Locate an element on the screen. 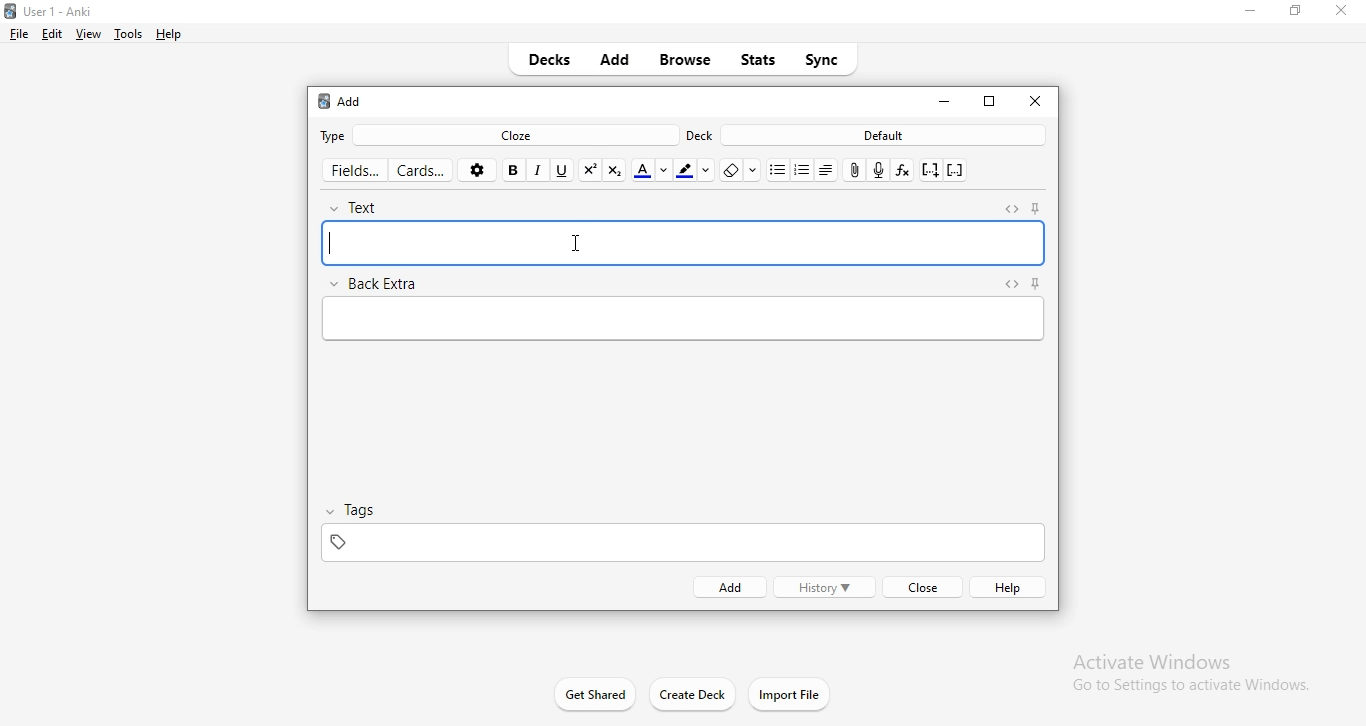 The height and width of the screenshot is (726, 1366). view is located at coordinates (89, 34).